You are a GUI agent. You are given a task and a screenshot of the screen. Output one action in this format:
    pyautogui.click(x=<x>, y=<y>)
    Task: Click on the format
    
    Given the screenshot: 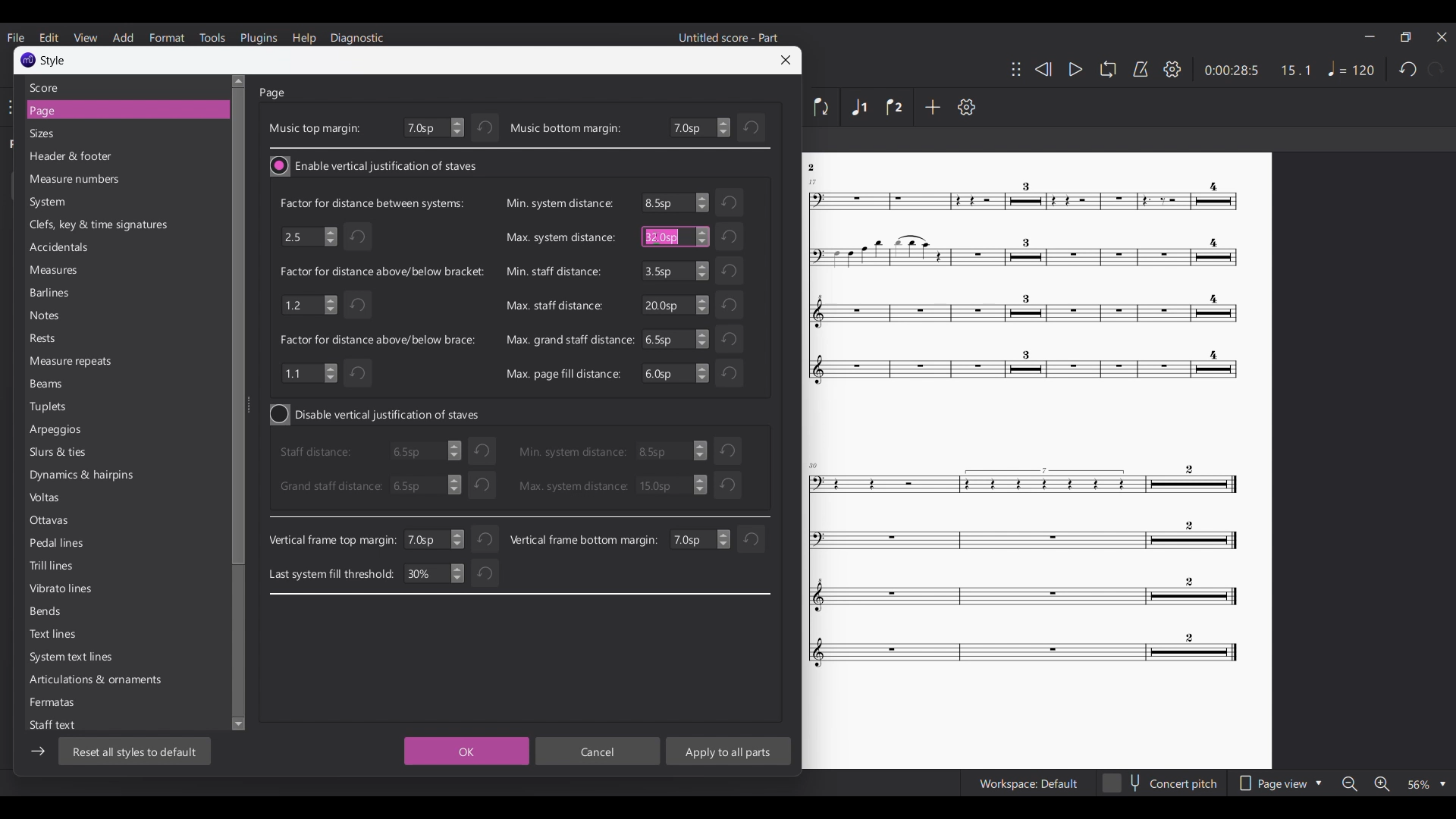 What is the action you would take?
    pyautogui.click(x=168, y=37)
    